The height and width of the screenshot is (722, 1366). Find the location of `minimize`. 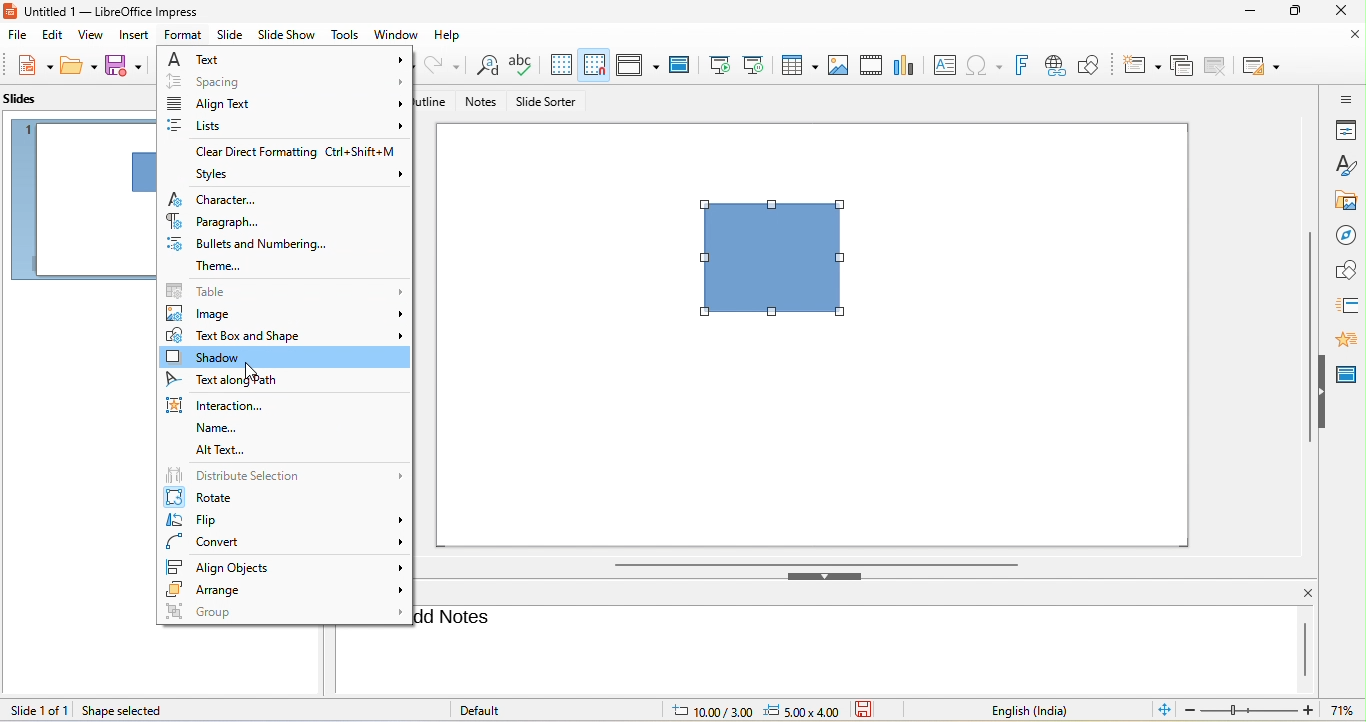

minimize is located at coordinates (1248, 11).